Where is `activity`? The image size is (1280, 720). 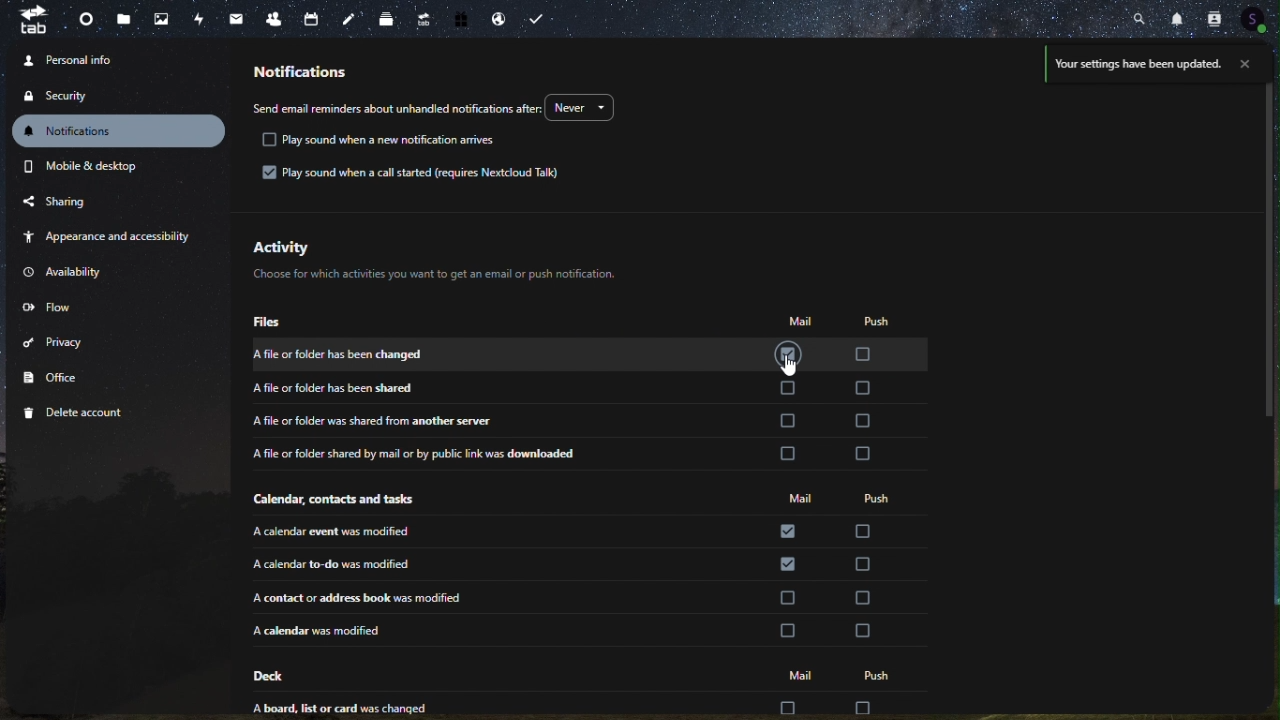
activity is located at coordinates (196, 16).